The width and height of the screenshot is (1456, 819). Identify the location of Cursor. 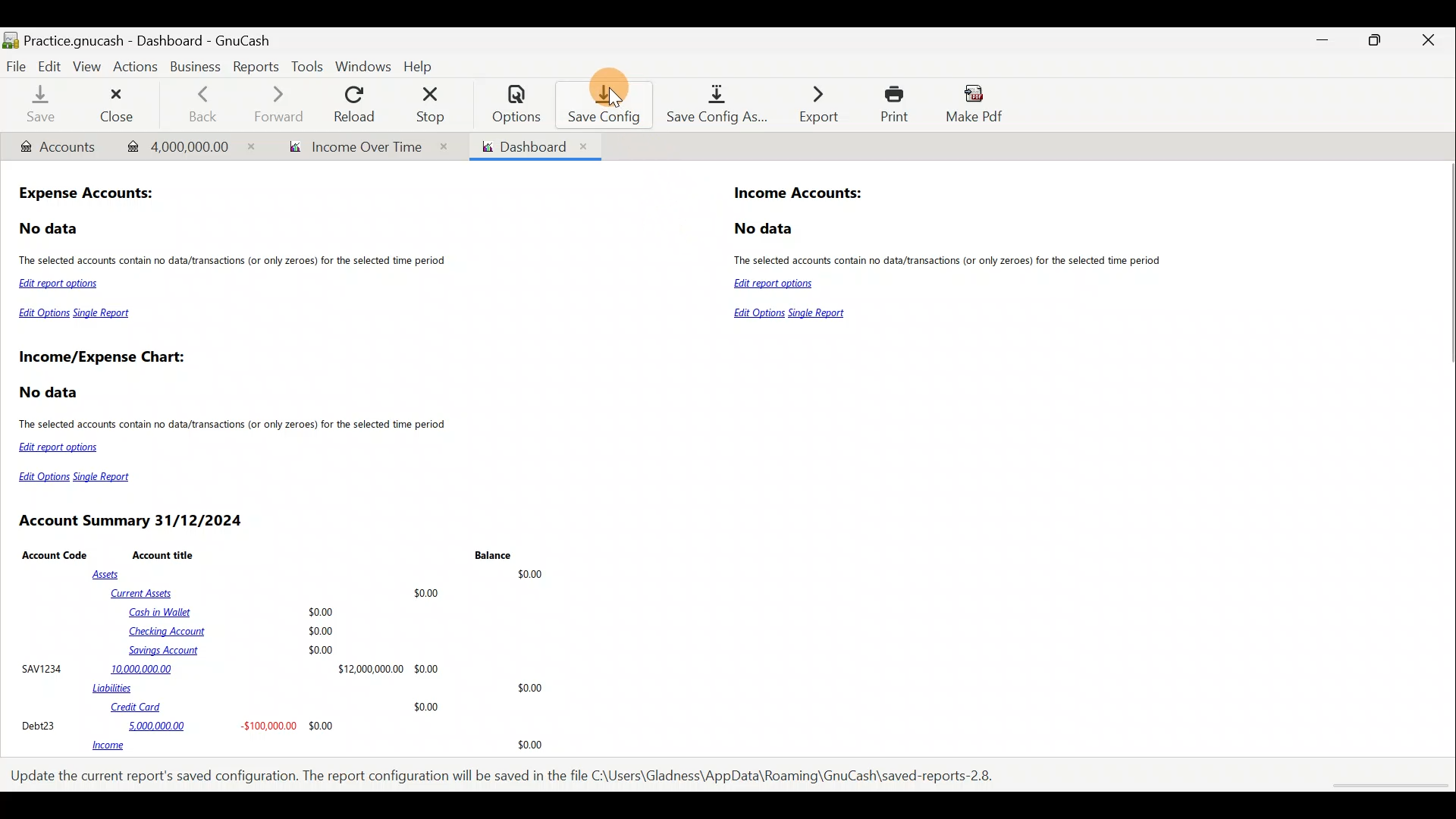
(617, 102).